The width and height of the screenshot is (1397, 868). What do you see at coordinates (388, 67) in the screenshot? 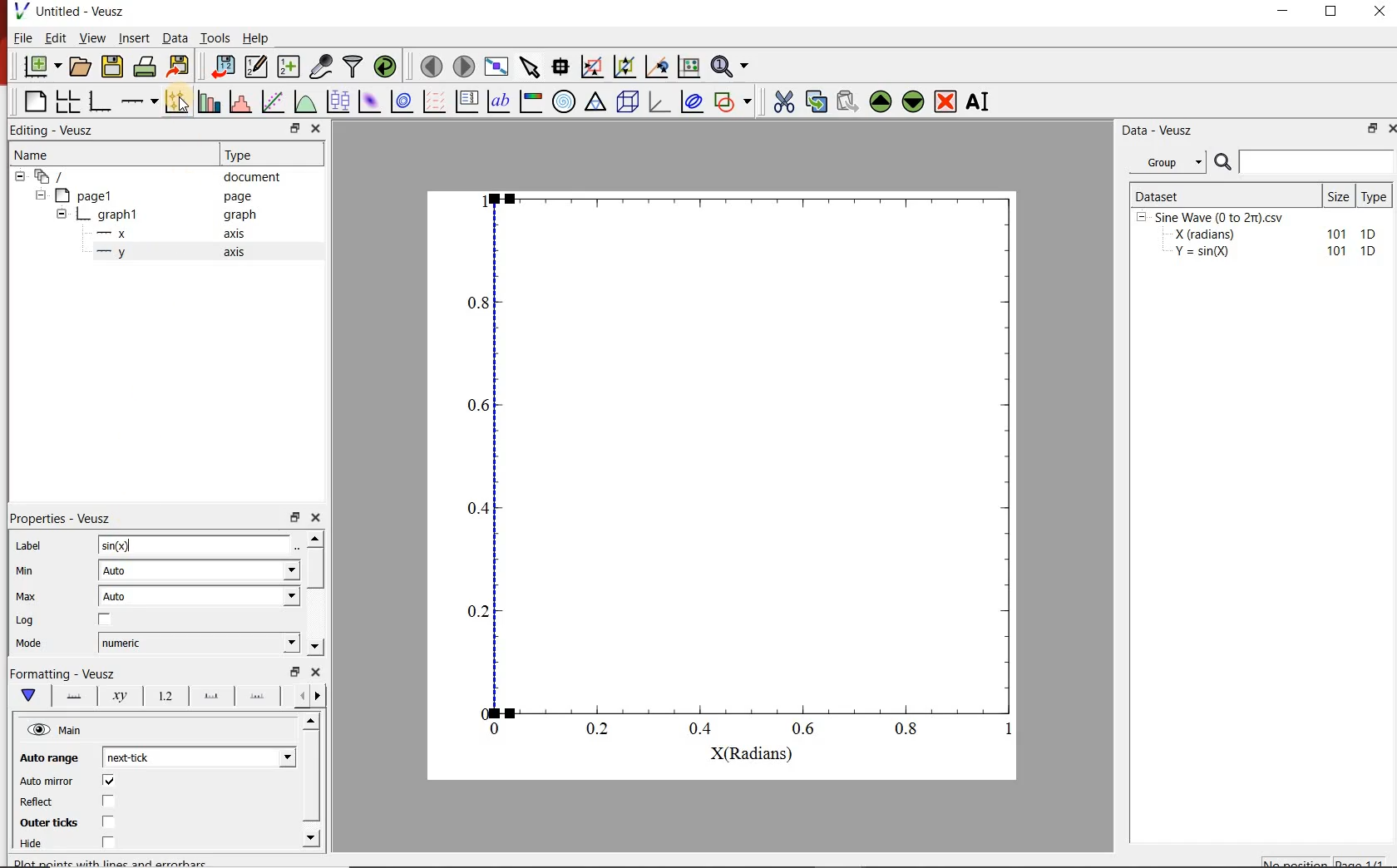
I see `reload linked datasets` at bounding box center [388, 67].